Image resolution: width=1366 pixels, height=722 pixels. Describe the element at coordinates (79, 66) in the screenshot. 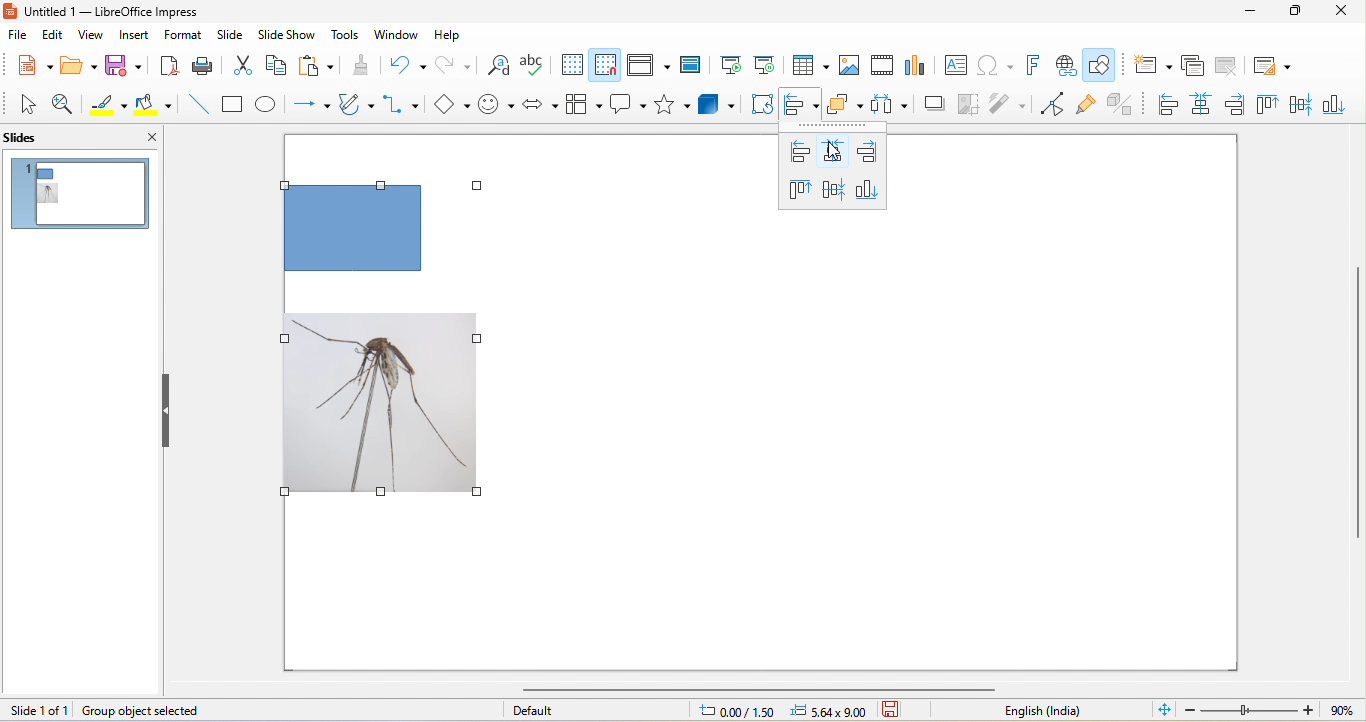

I see `open` at that location.